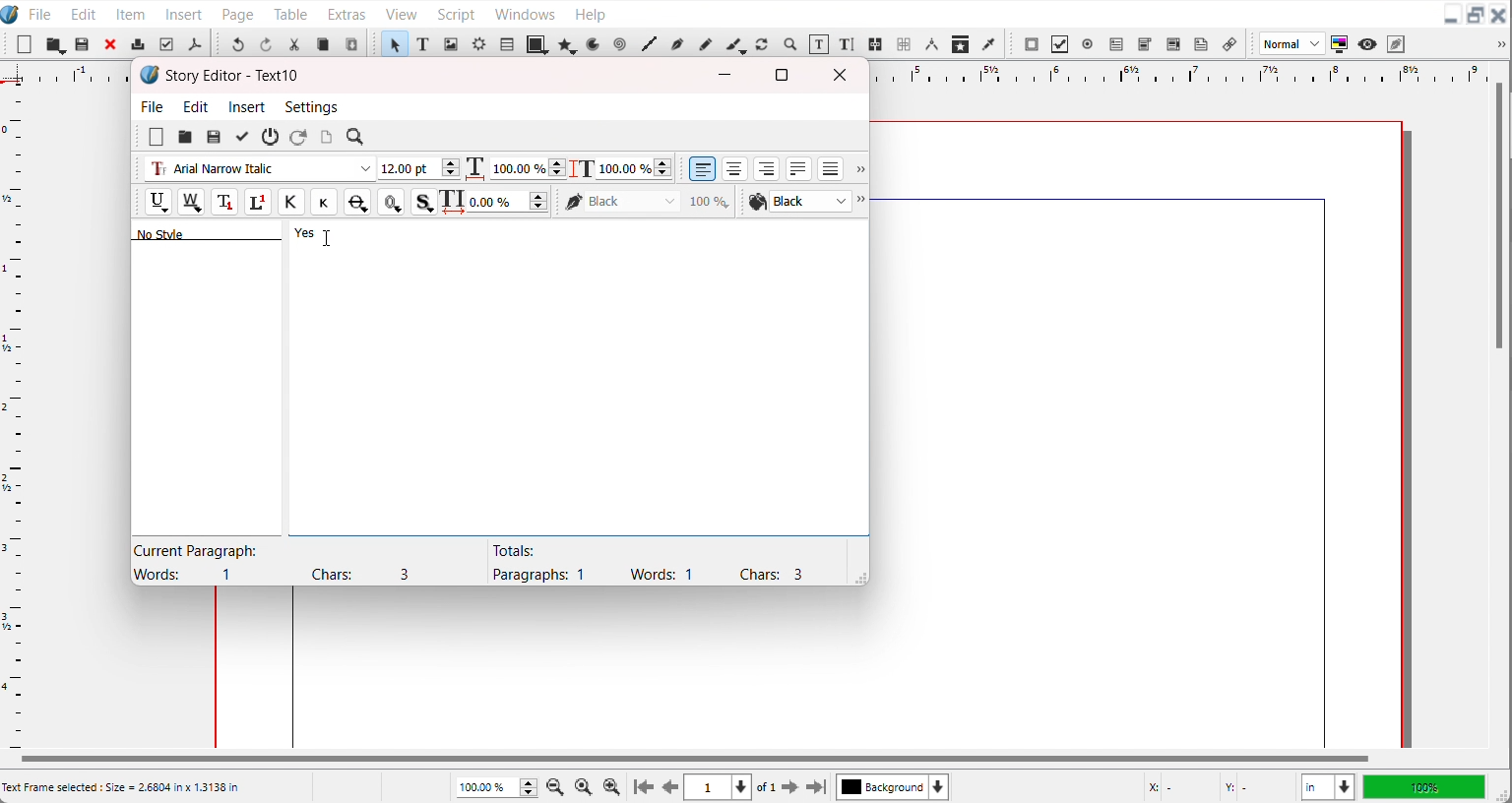 This screenshot has height=803, width=1512. Describe the element at coordinates (568, 44) in the screenshot. I see `Polygon` at that location.